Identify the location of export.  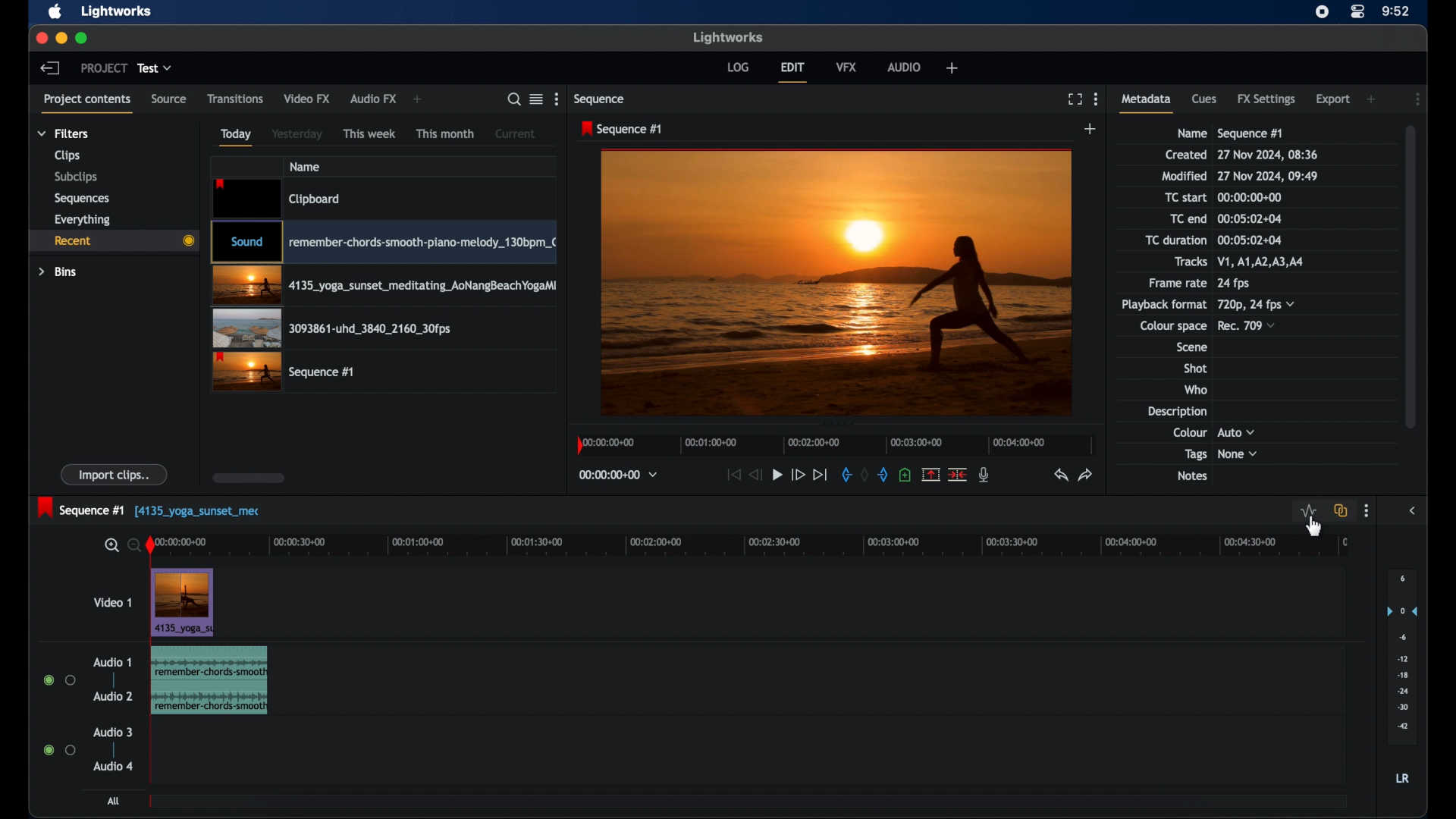
(1332, 99).